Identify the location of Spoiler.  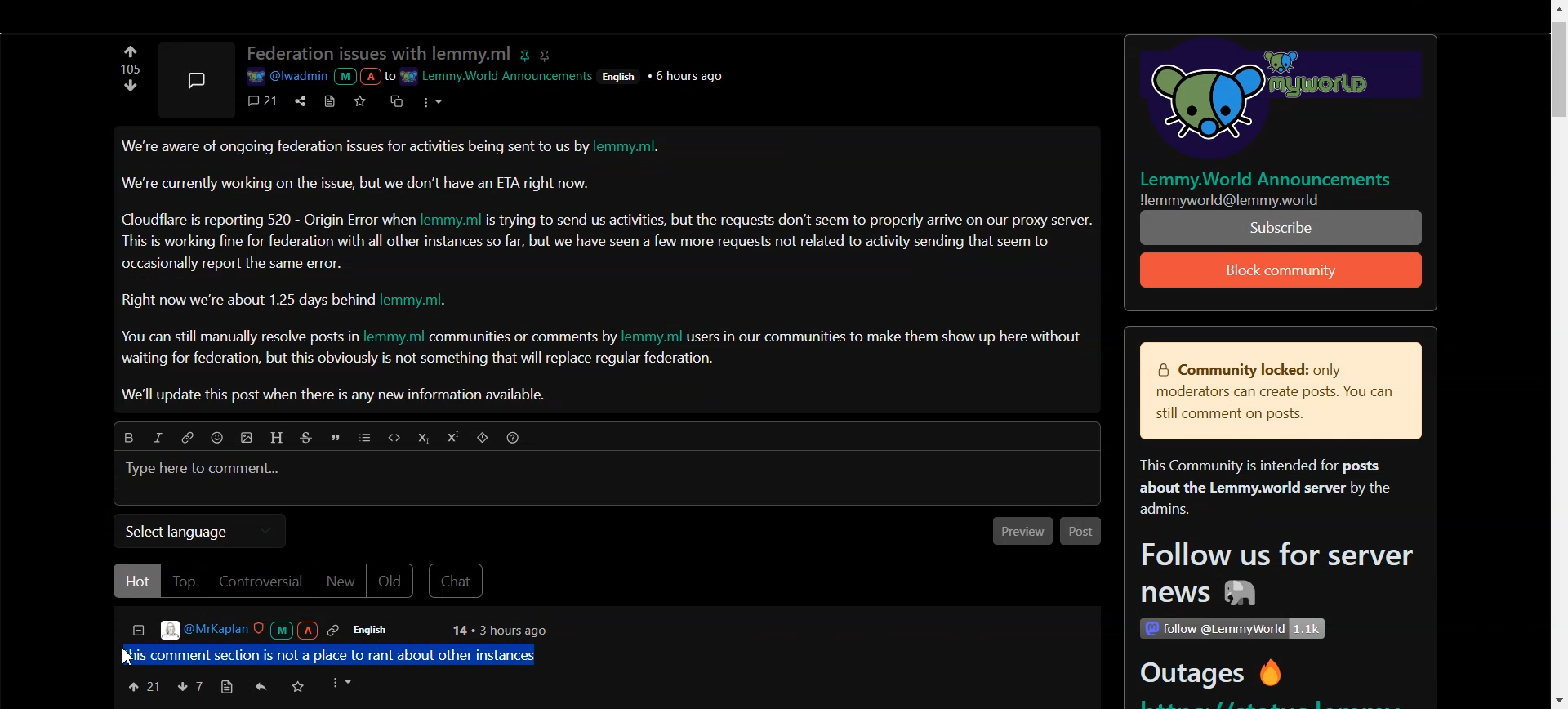
(484, 439).